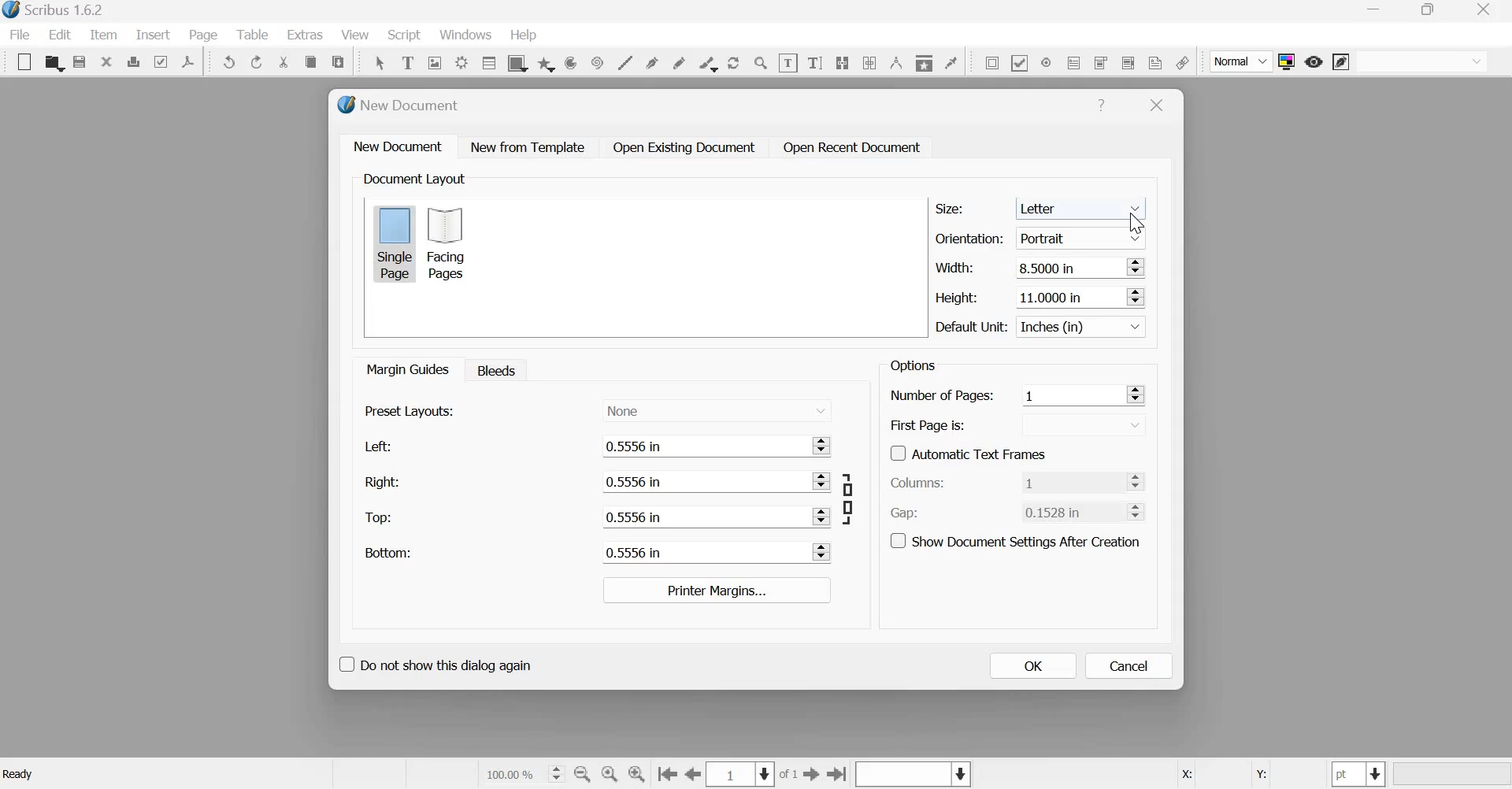  Describe the element at coordinates (1287, 61) in the screenshot. I see `Toggle color management system` at that location.